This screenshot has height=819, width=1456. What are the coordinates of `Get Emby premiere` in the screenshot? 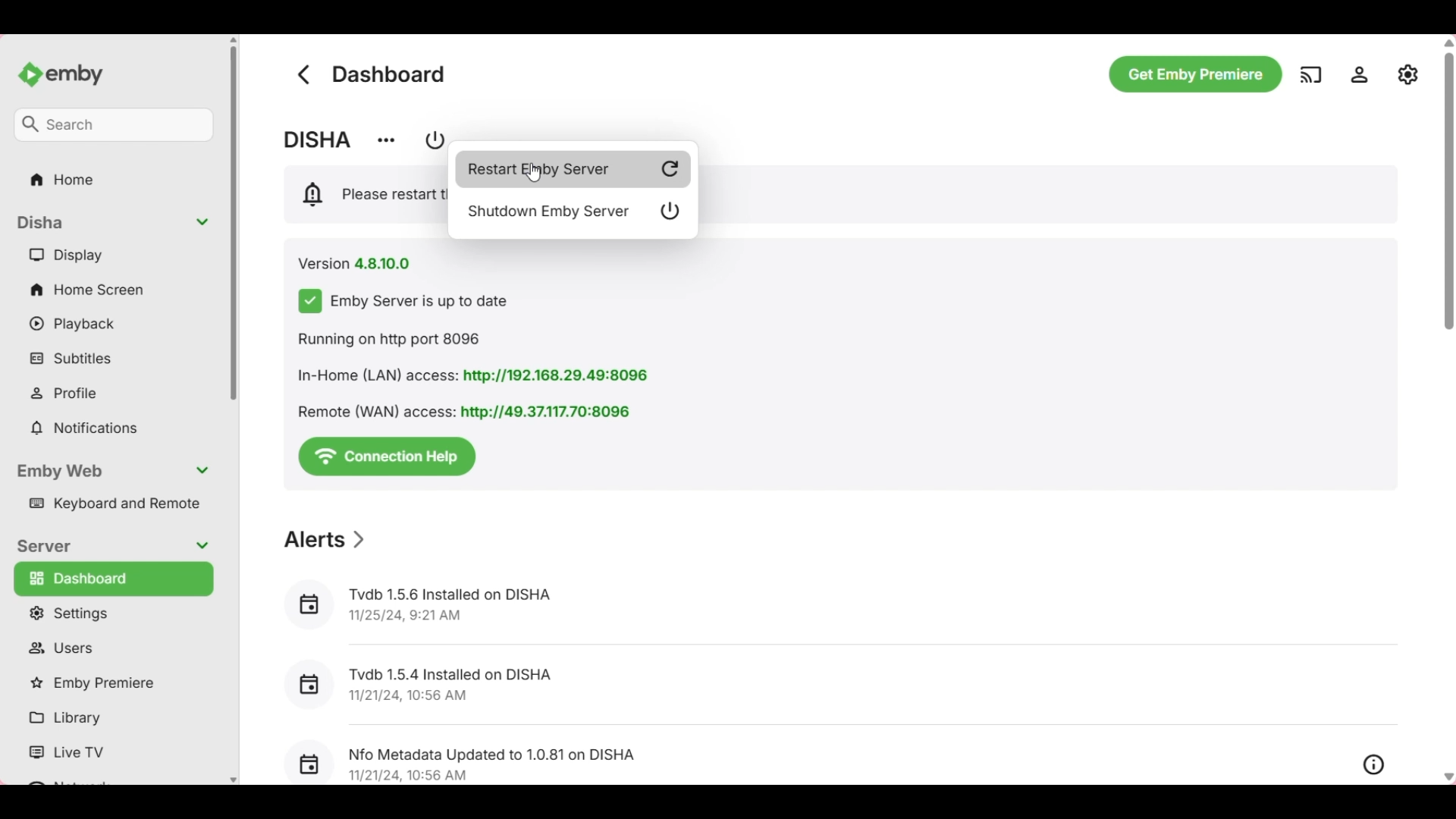 It's located at (1196, 74).